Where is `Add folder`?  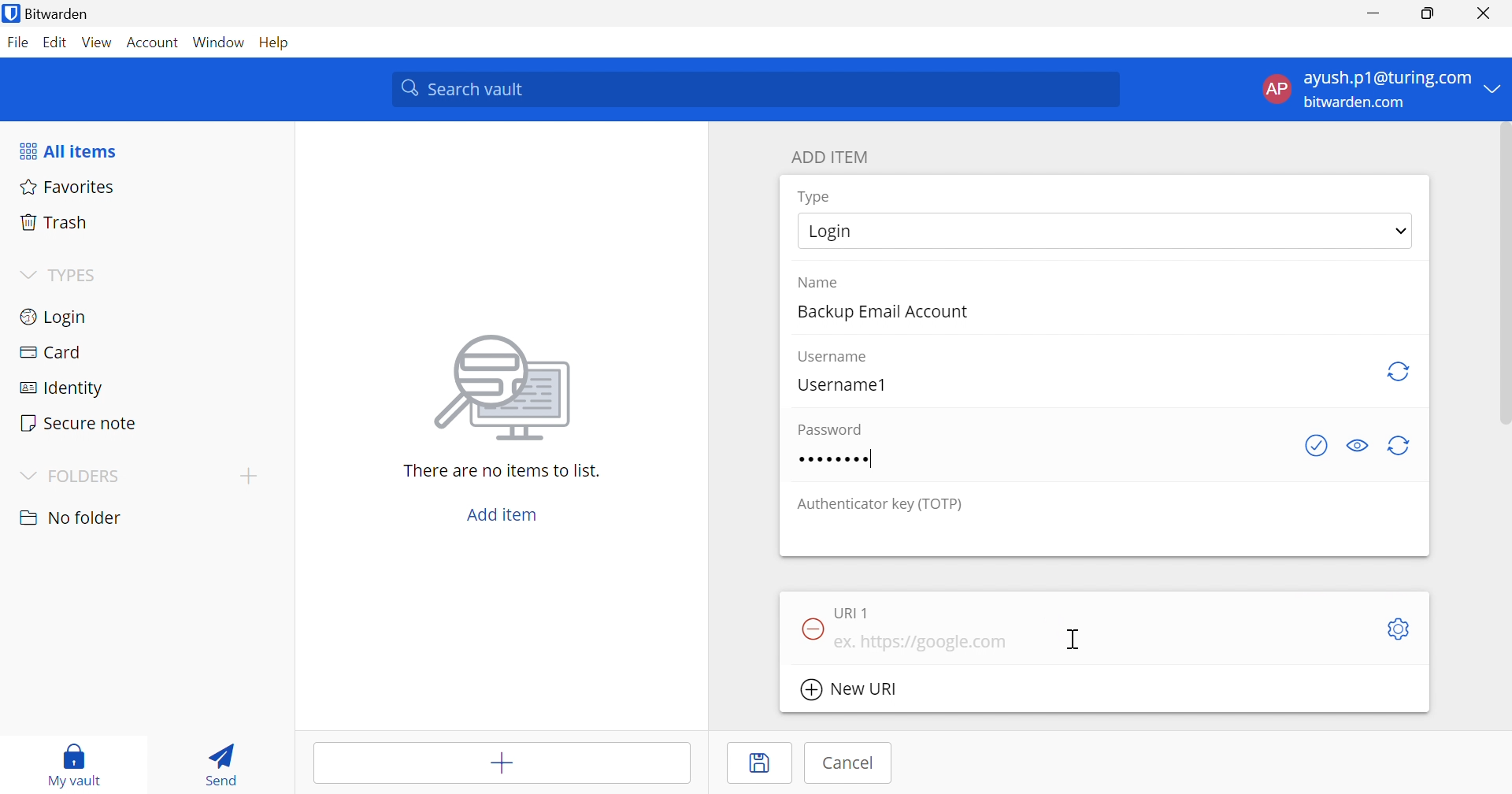
Add folder is located at coordinates (249, 477).